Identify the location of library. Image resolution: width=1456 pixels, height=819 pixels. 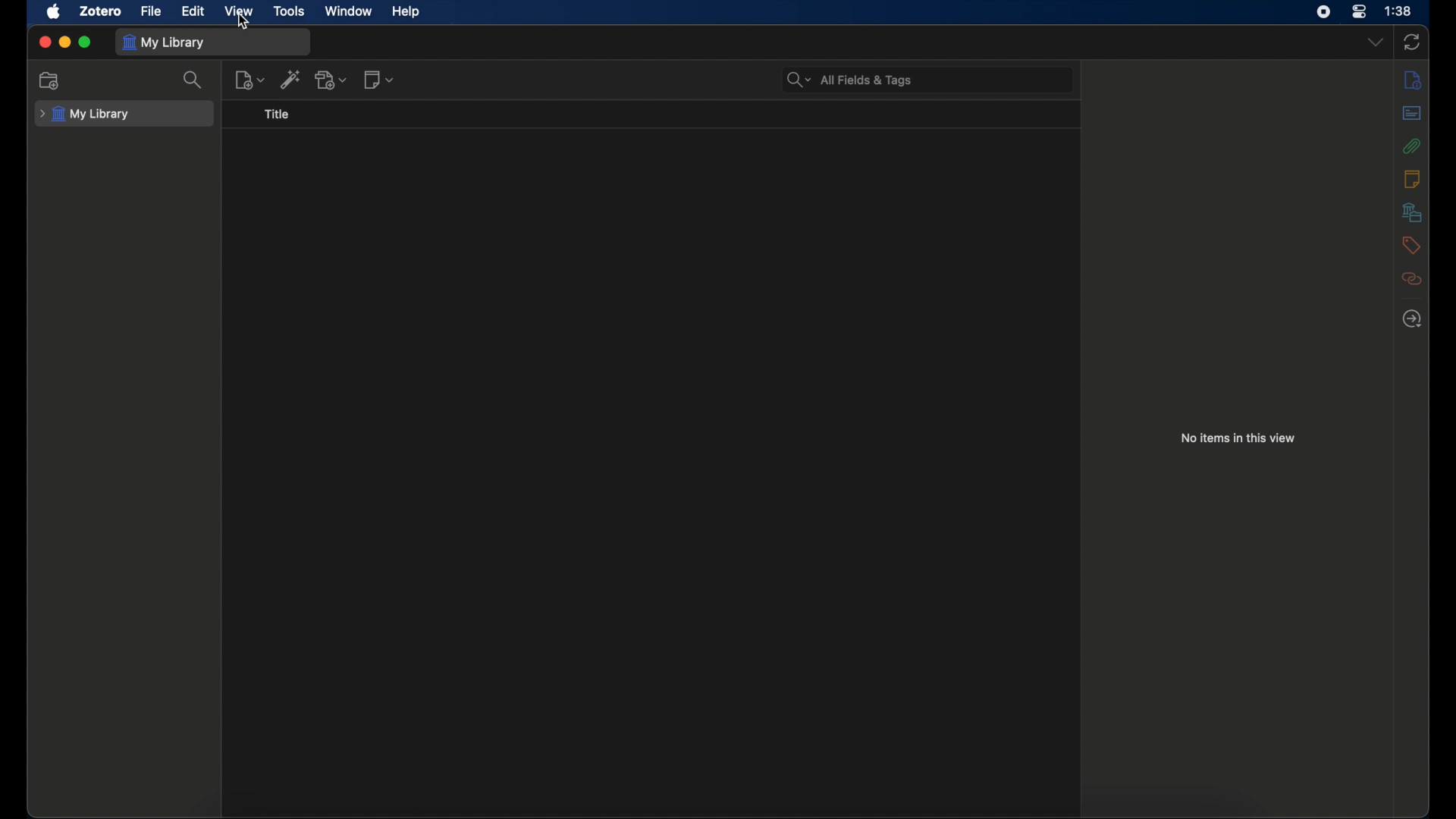
(1412, 212).